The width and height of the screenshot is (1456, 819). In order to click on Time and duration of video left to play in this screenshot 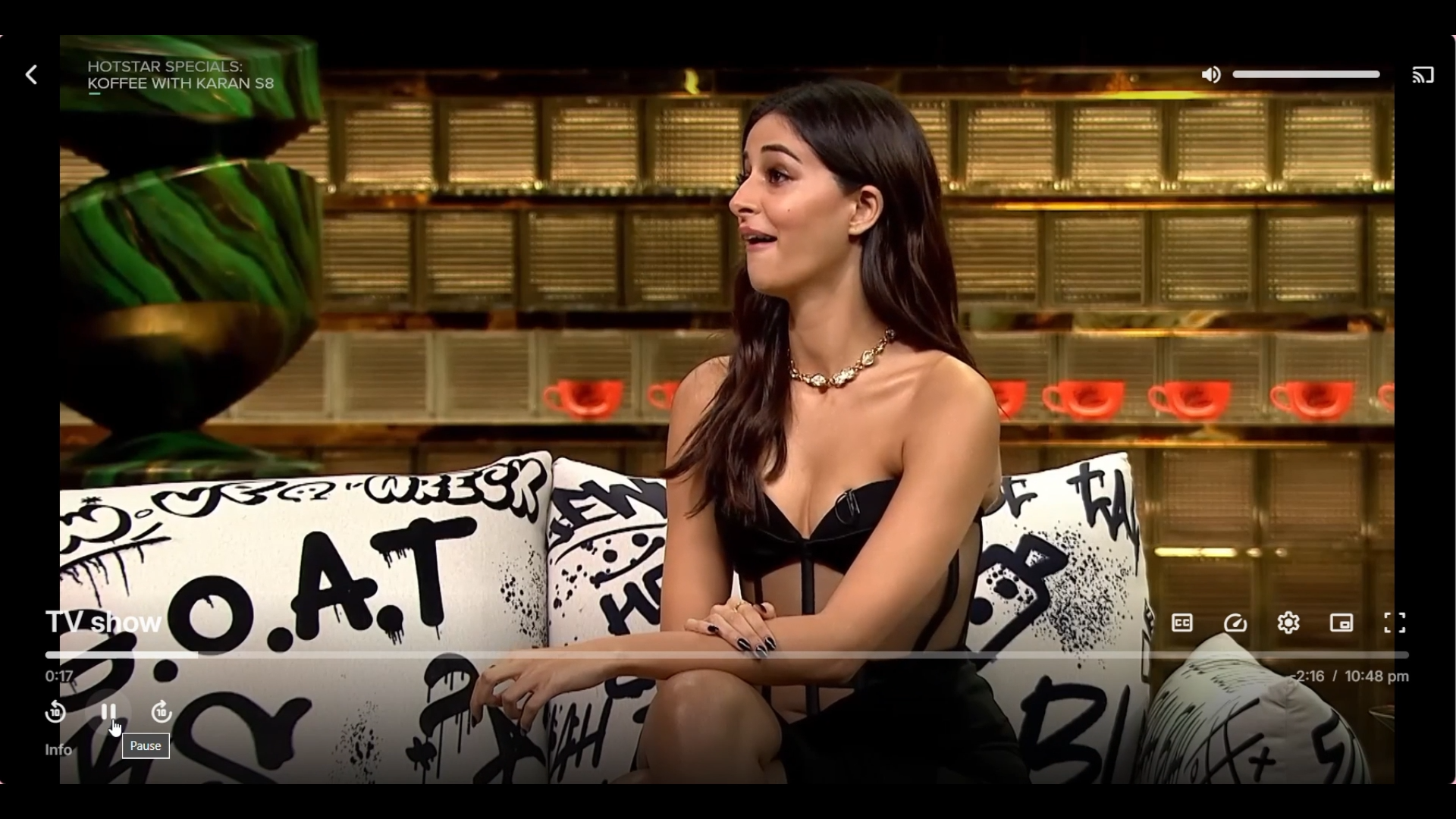, I will do `click(1351, 677)`.